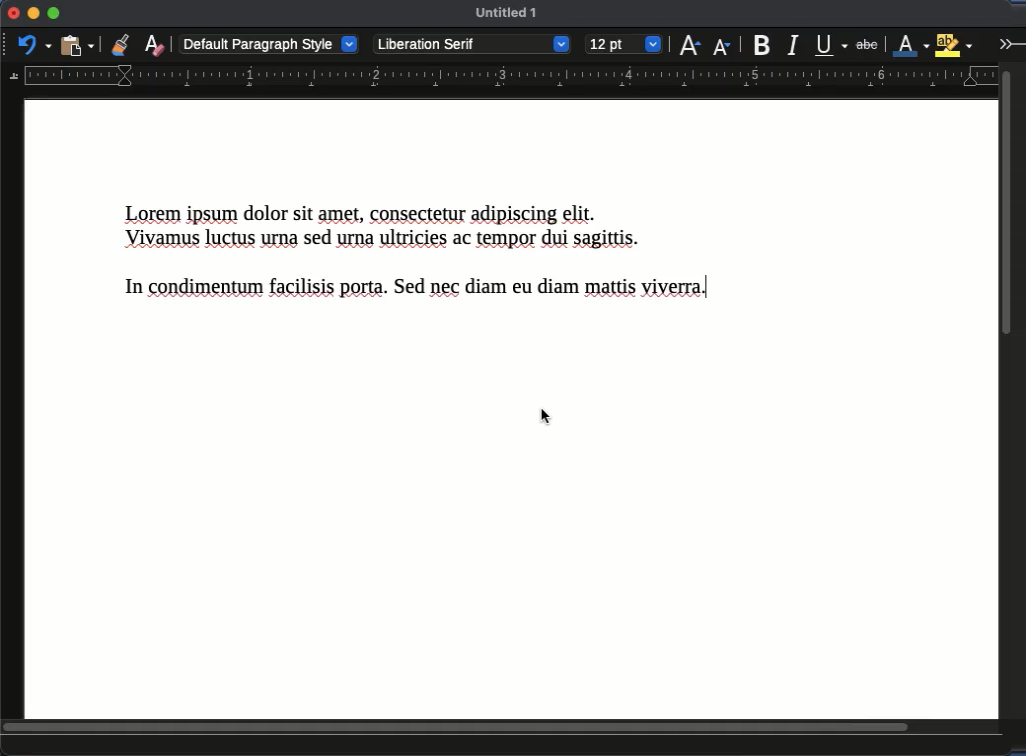  I want to click on undo, so click(35, 44).